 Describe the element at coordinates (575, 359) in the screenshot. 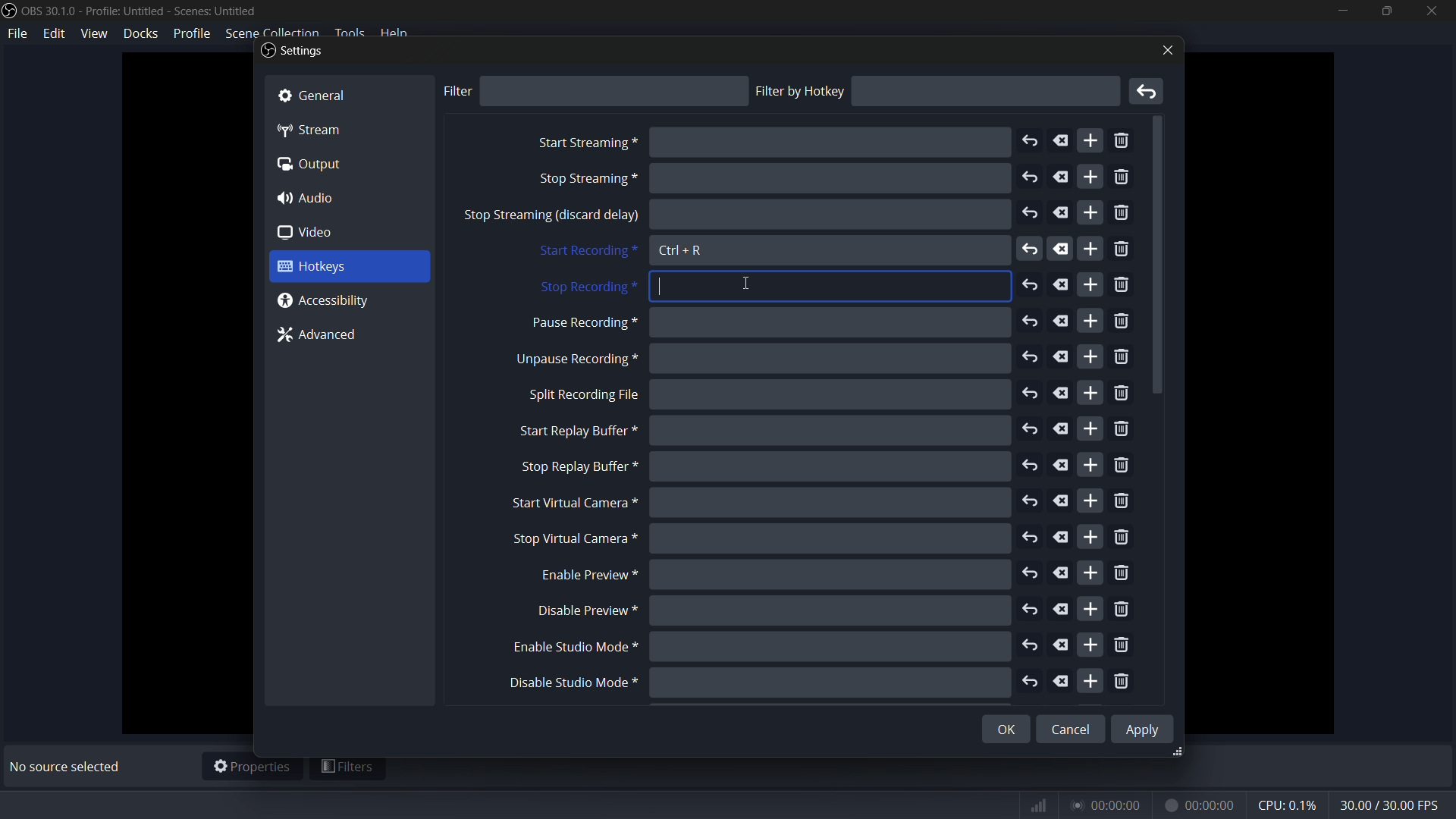

I see `unpause recording` at that location.